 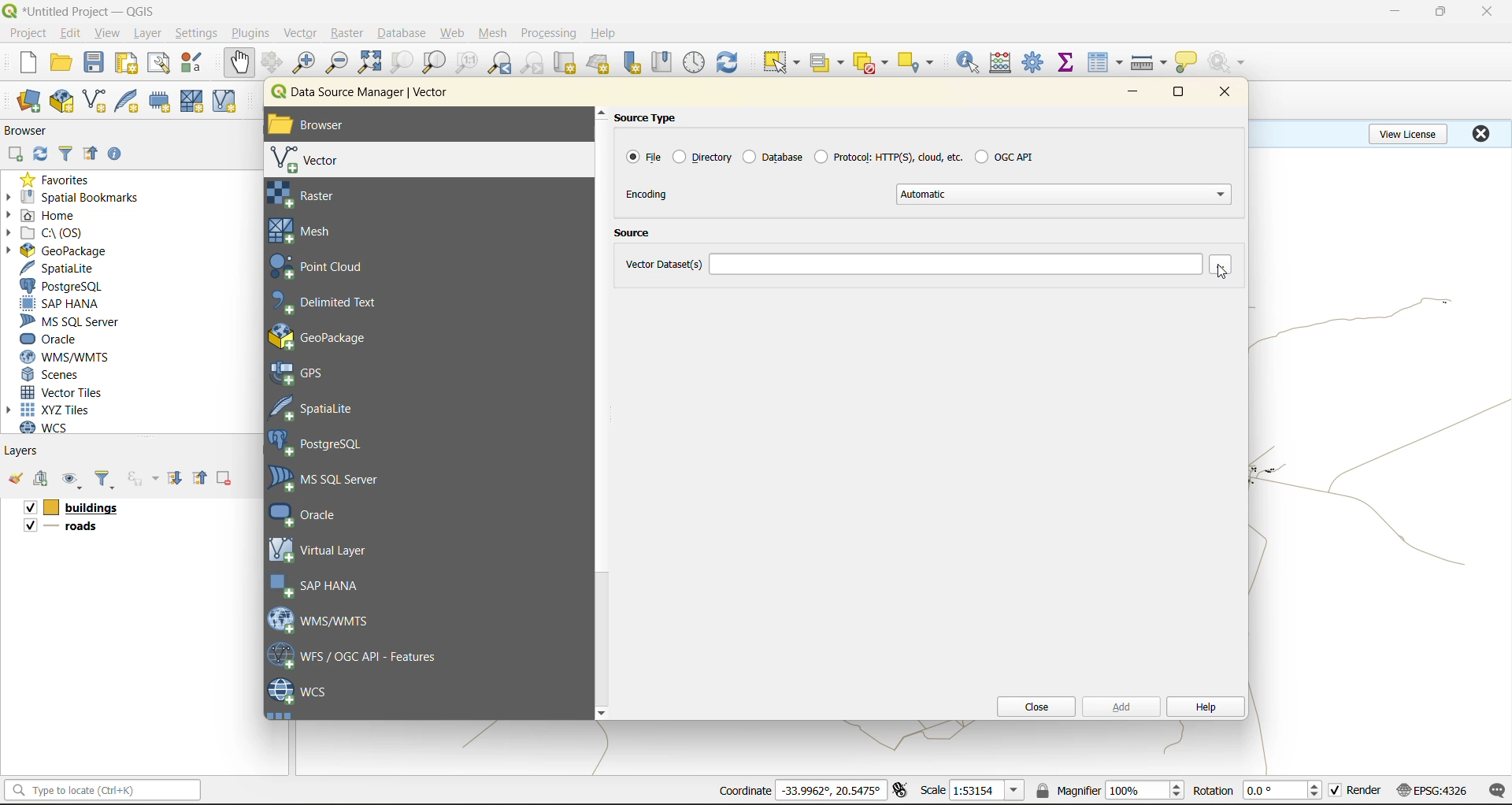 I want to click on project, so click(x=28, y=34).